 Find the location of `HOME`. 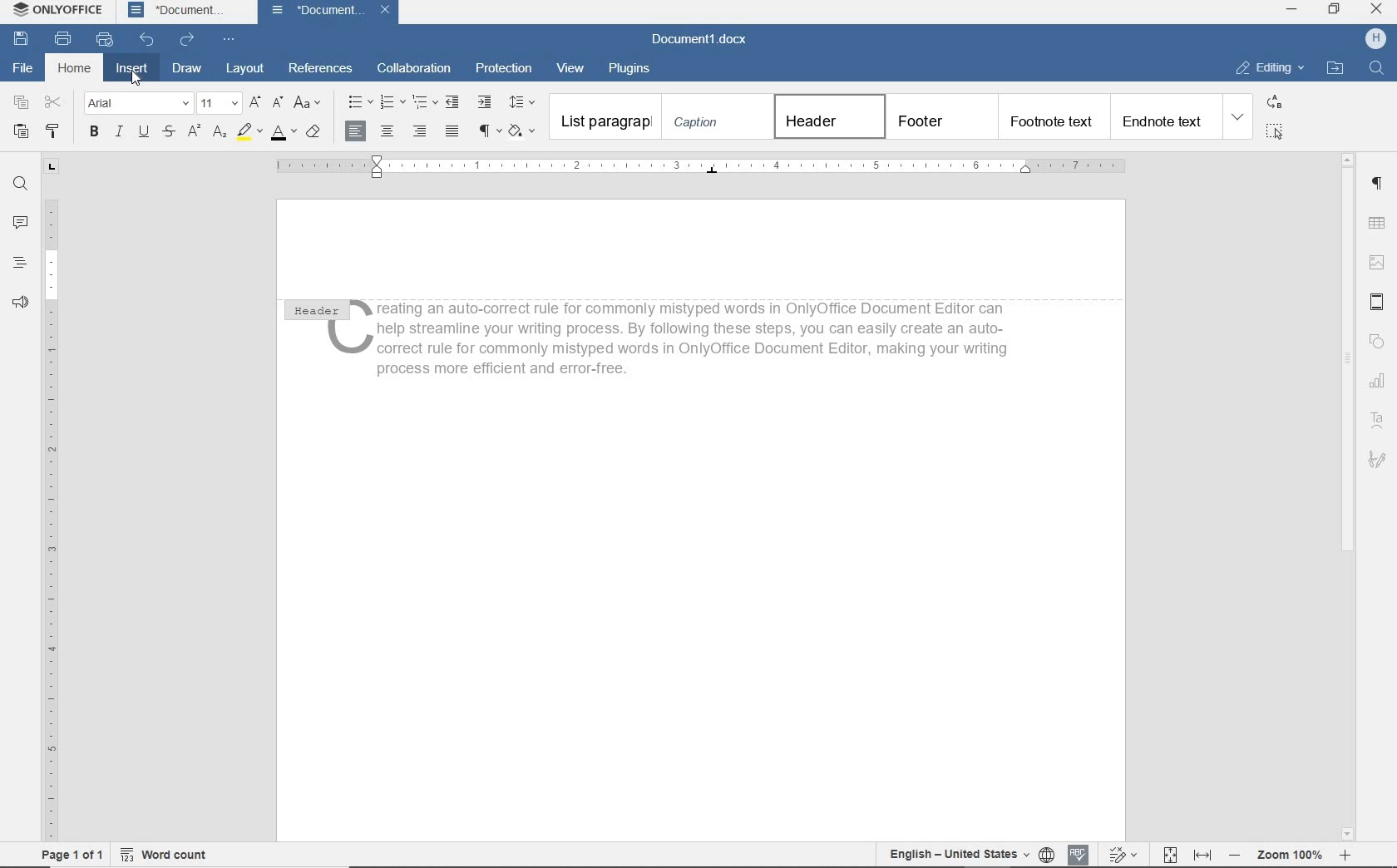

HOME is located at coordinates (72, 69).